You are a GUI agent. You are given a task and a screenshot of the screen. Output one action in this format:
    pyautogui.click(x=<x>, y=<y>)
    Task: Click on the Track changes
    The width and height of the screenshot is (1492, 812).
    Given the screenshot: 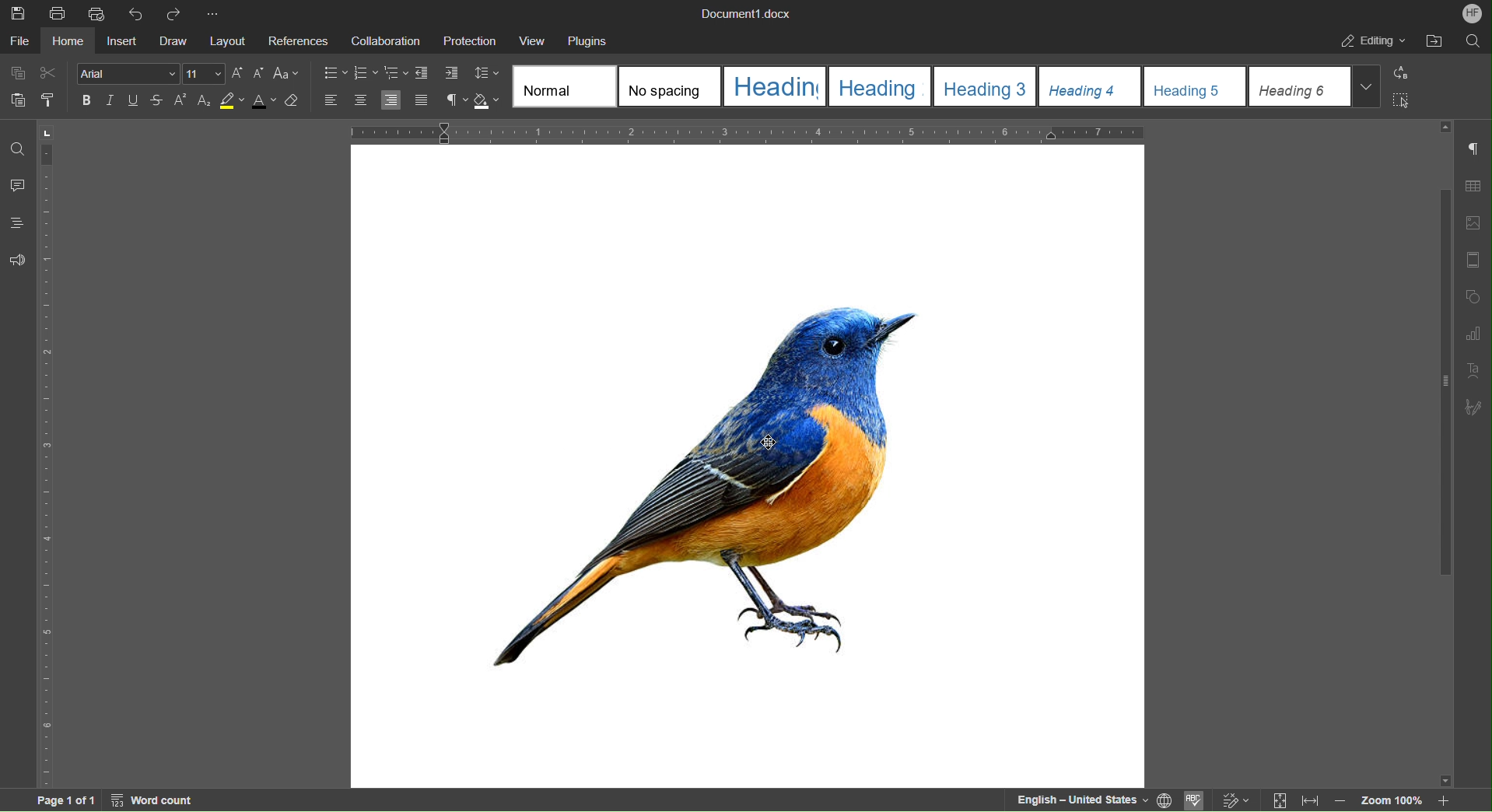 What is the action you would take?
    pyautogui.click(x=1234, y=797)
    